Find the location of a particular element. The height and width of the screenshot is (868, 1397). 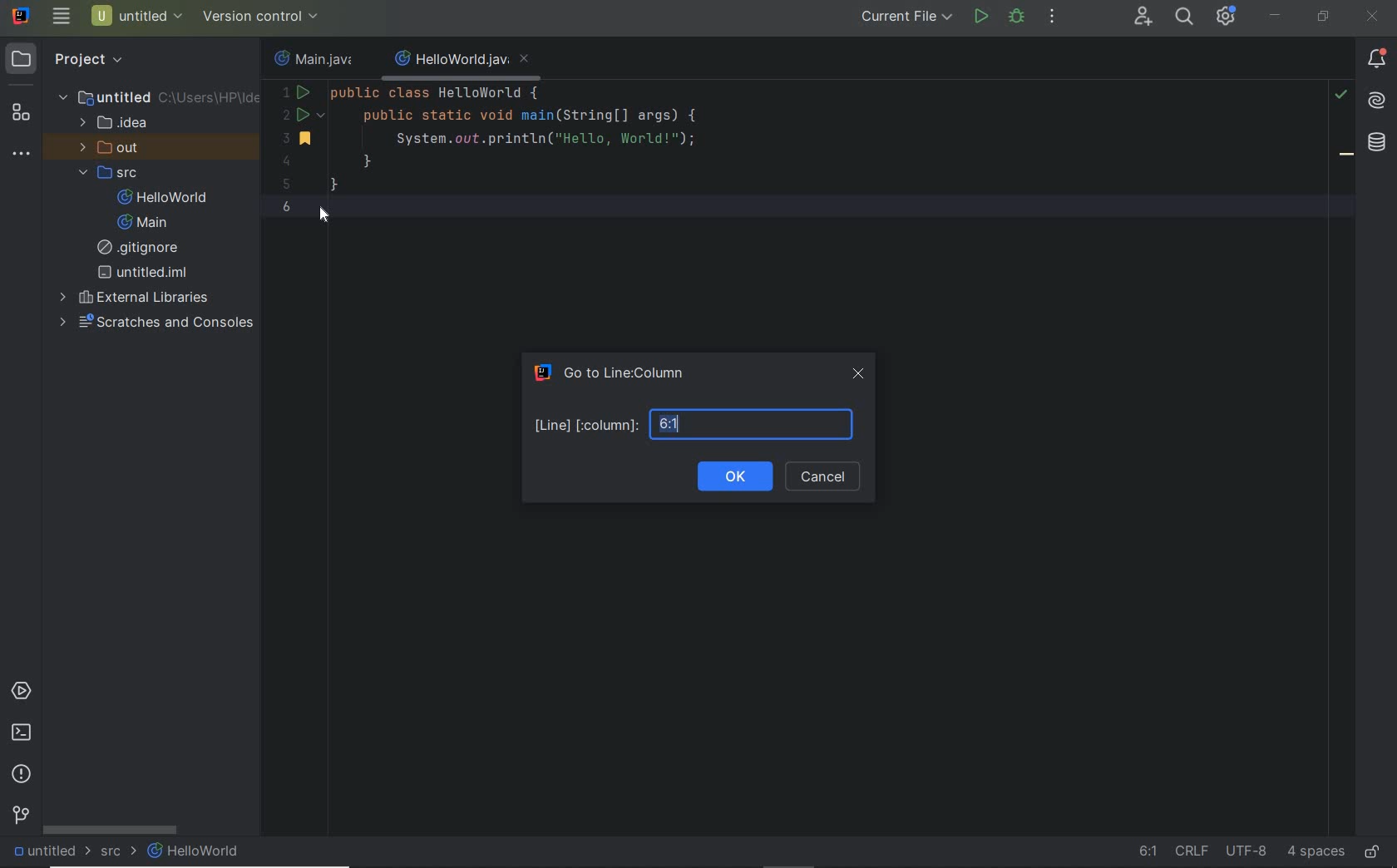

highlight problems is located at coordinates (1340, 95).